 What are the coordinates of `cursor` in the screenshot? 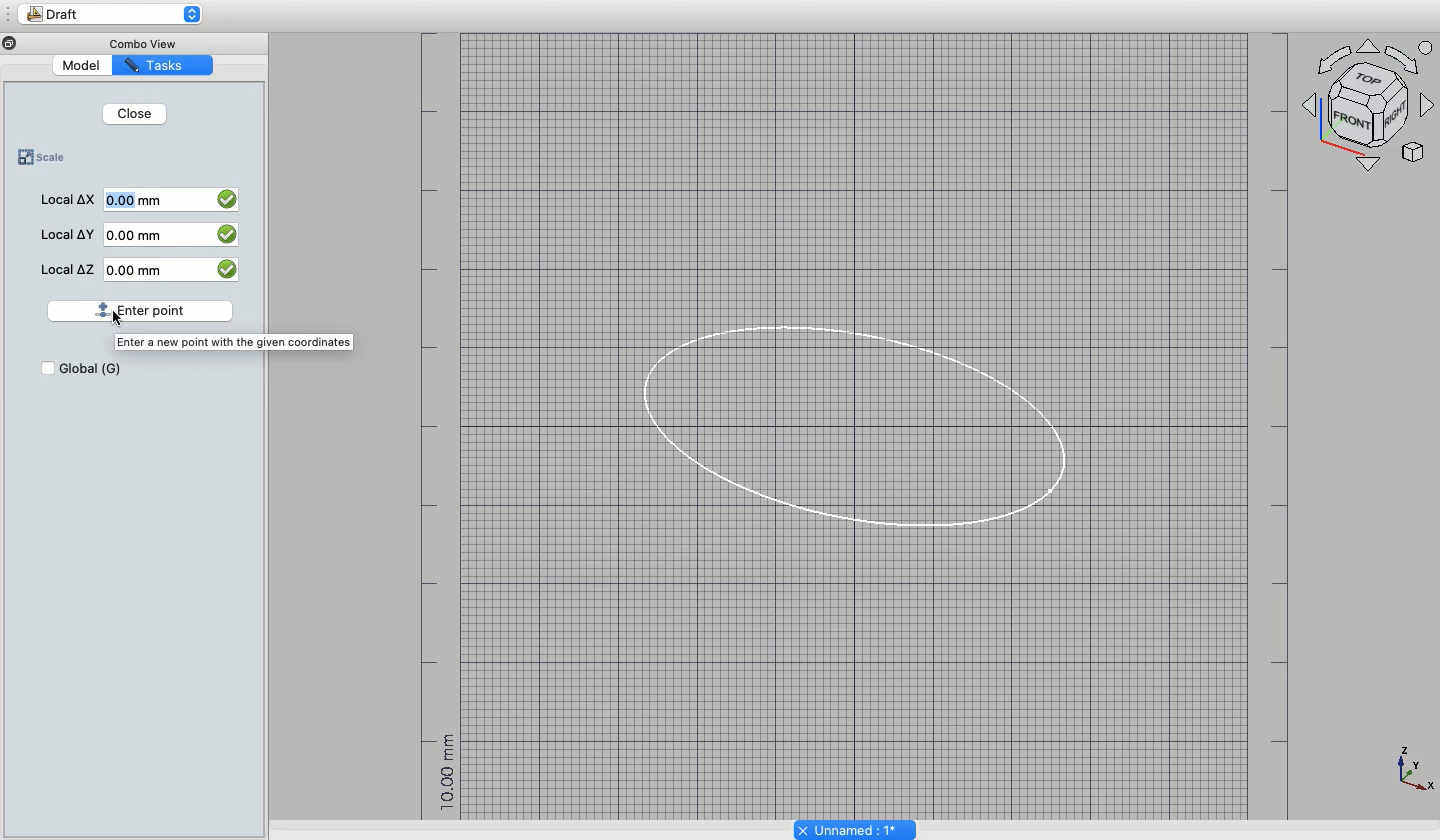 It's located at (111, 314).